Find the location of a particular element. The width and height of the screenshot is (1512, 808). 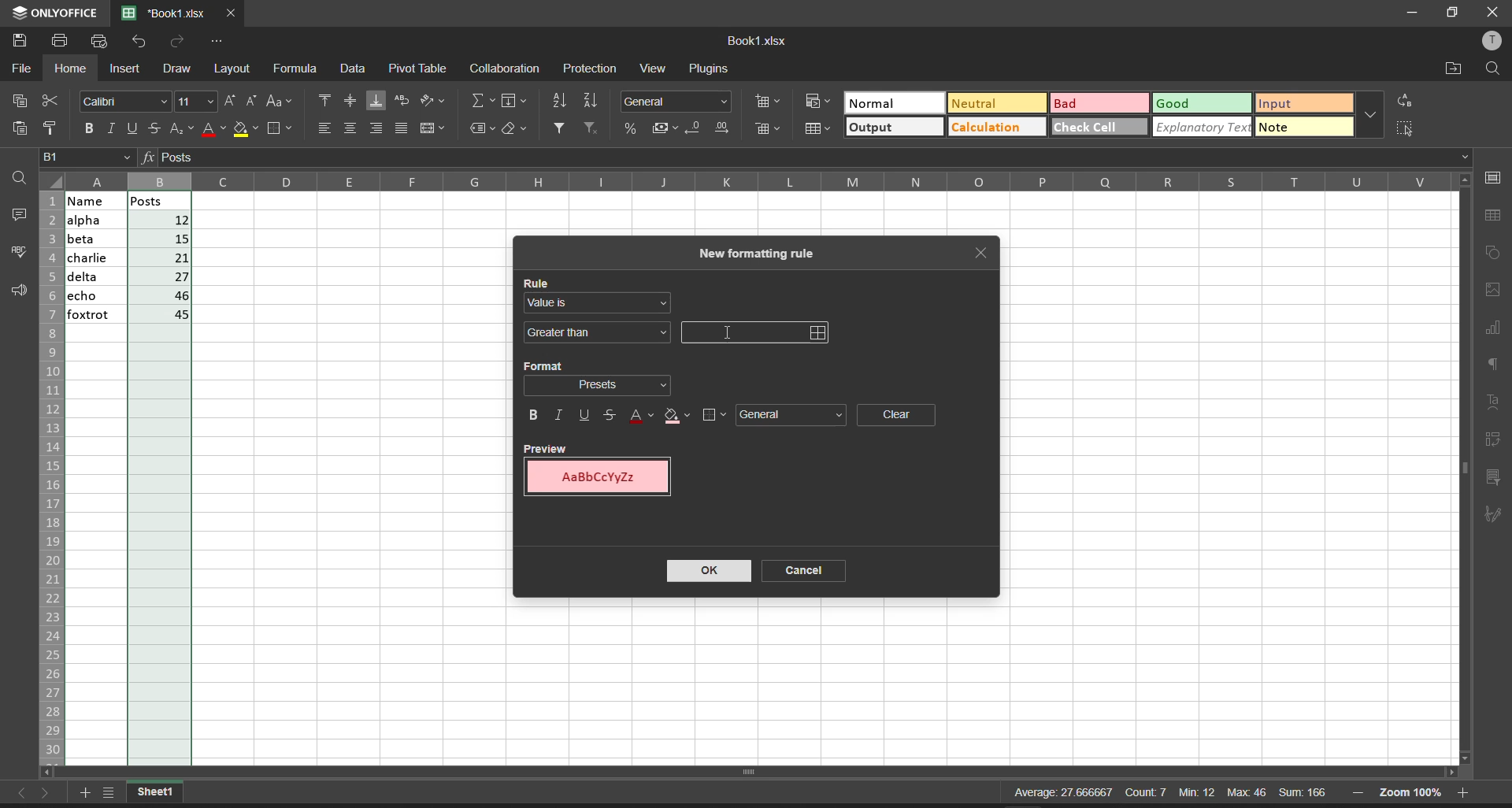

filter is located at coordinates (555, 128).